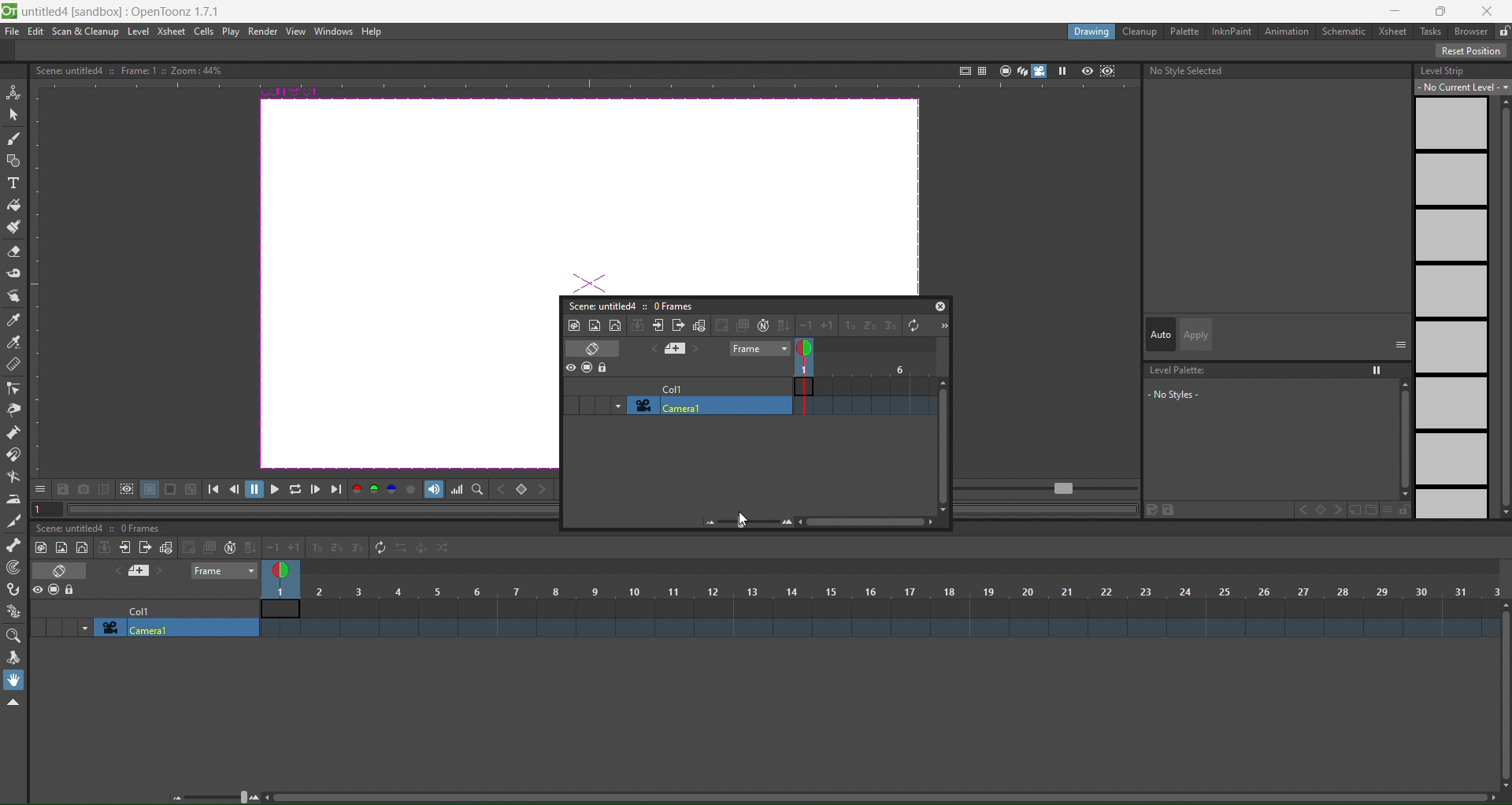 This screenshot has width=1512, height=805. Describe the element at coordinates (400, 549) in the screenshot. I see `reverse` at that location.